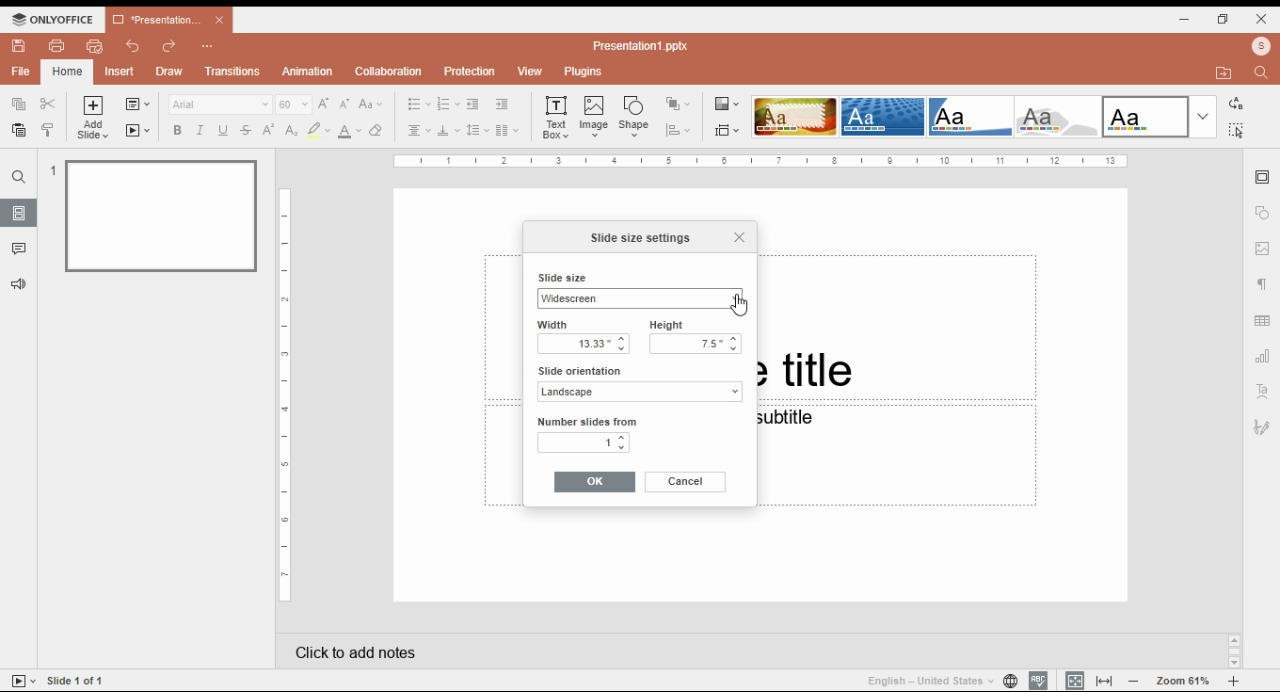  Describe the element at coordinates (727, 104) in the screenshot. I see `change color theme` at that location.